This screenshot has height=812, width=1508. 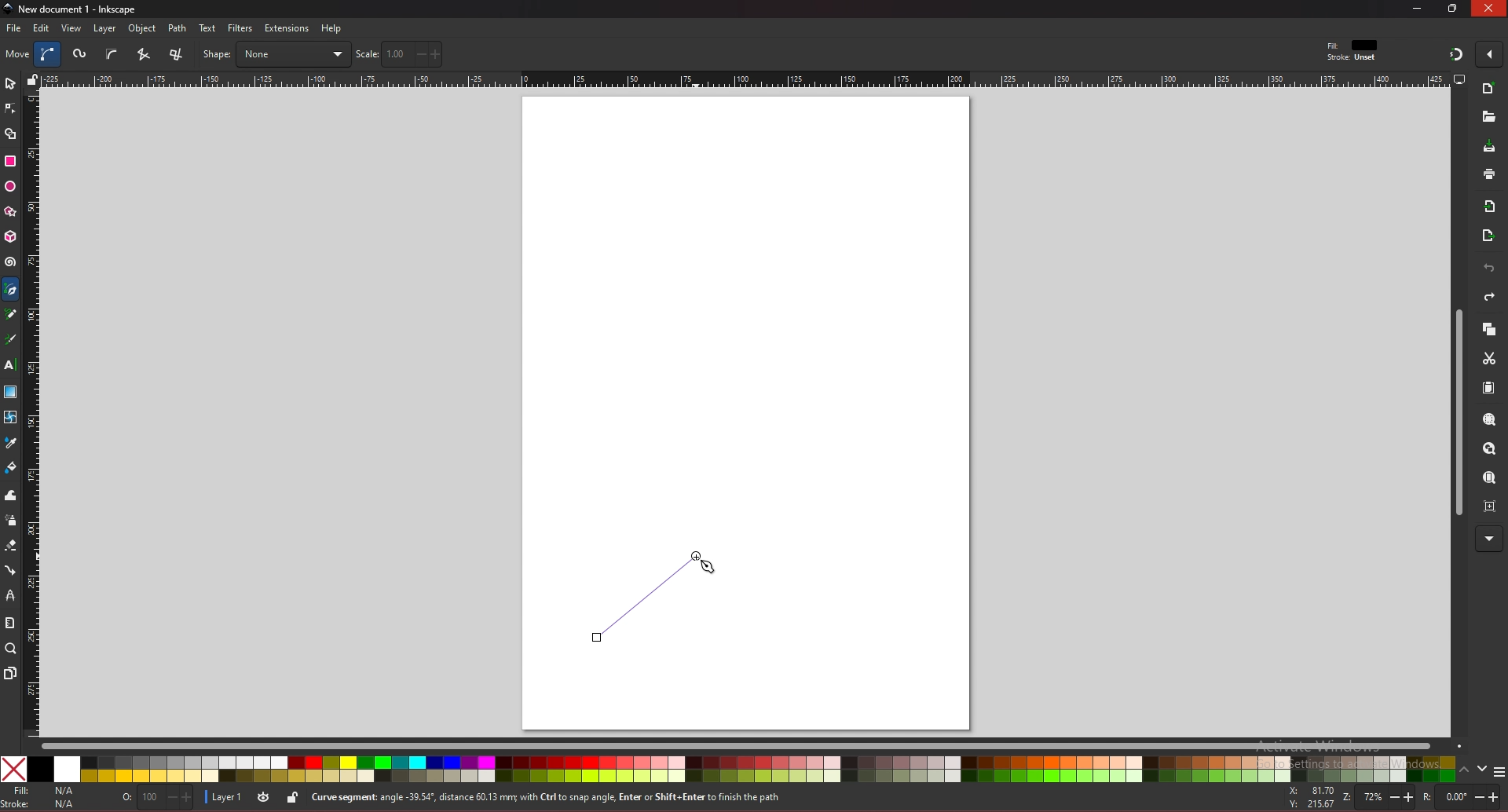 I want to click on lpe, so click(x=11, y=594).